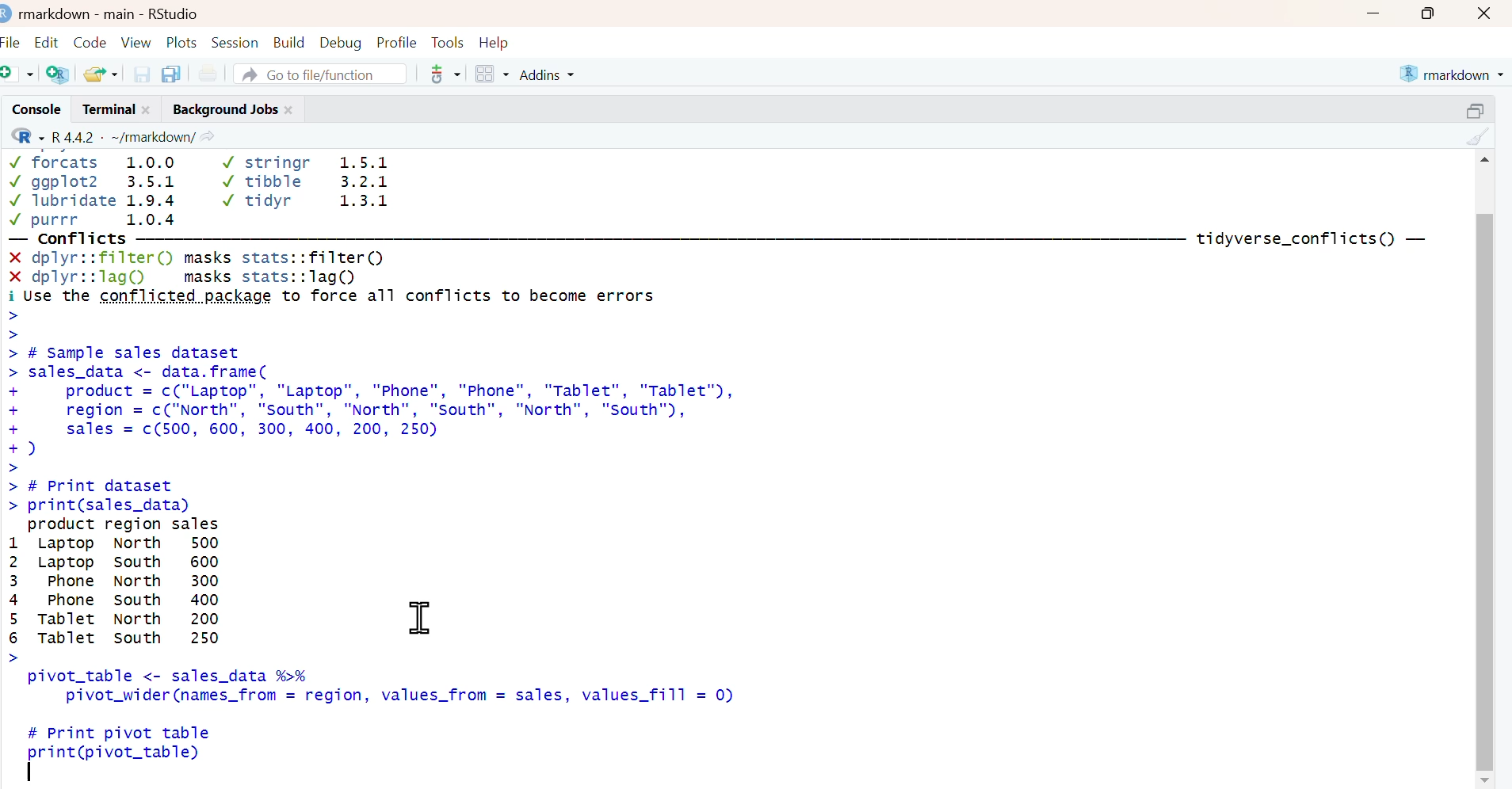  I want to click on scroll up, so click(1483, 158).